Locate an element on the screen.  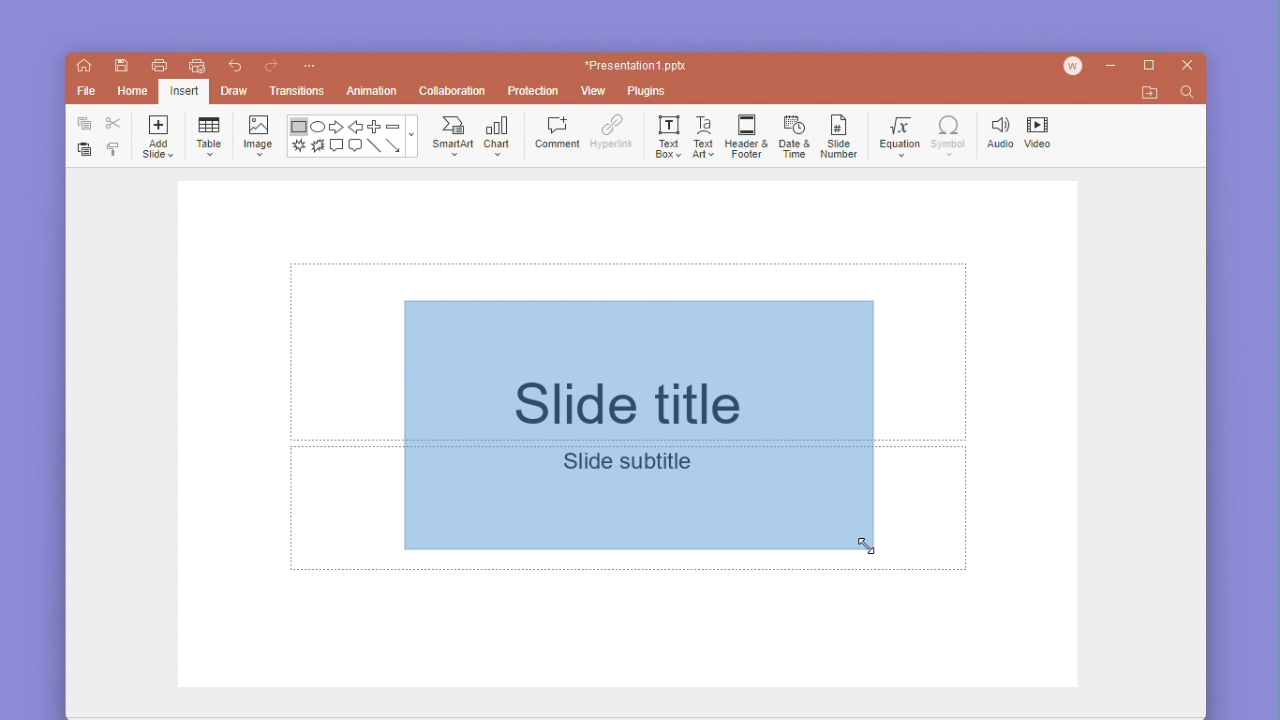
line is located at coordinates (374, 147).